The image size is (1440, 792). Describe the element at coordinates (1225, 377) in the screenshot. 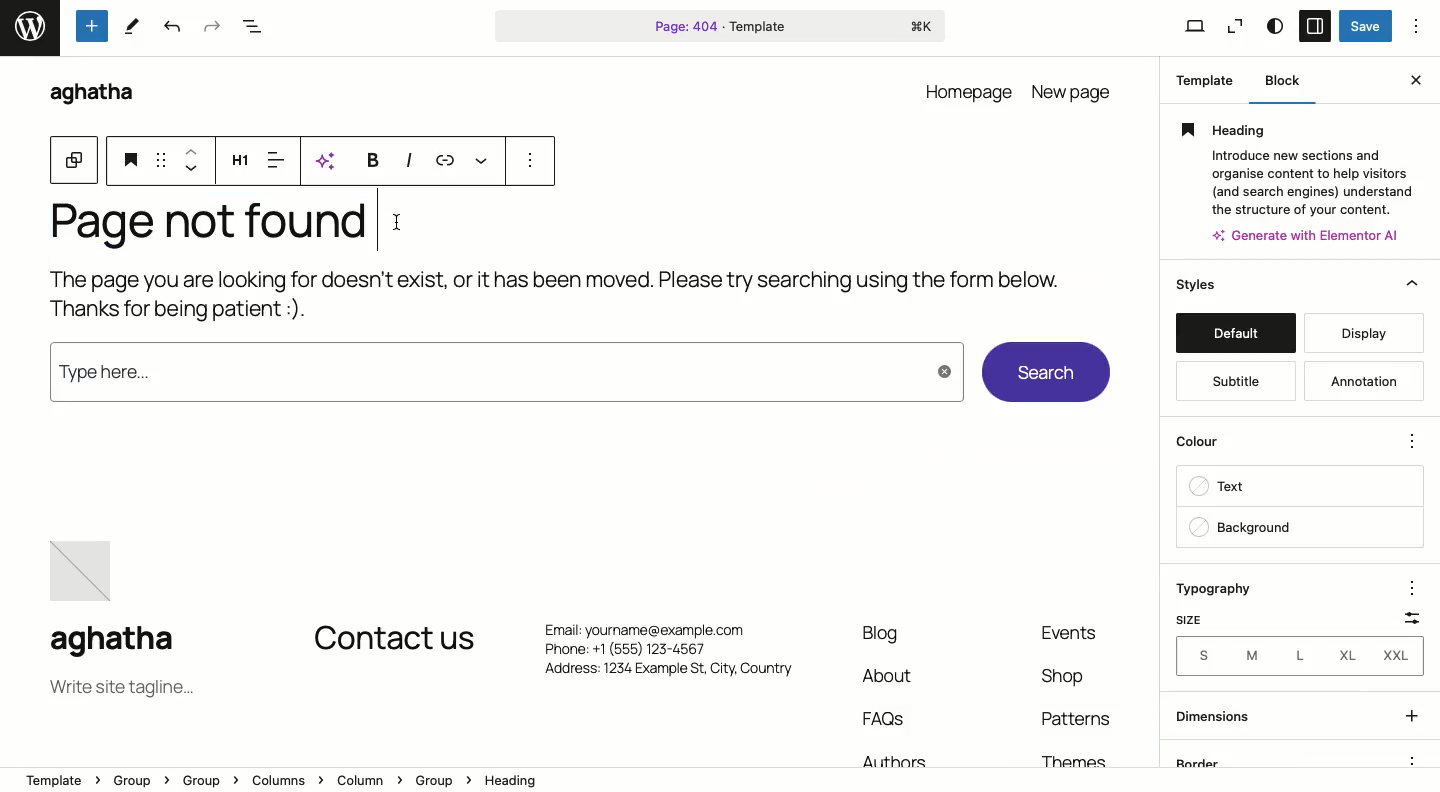

I see `subtitle` at that location.